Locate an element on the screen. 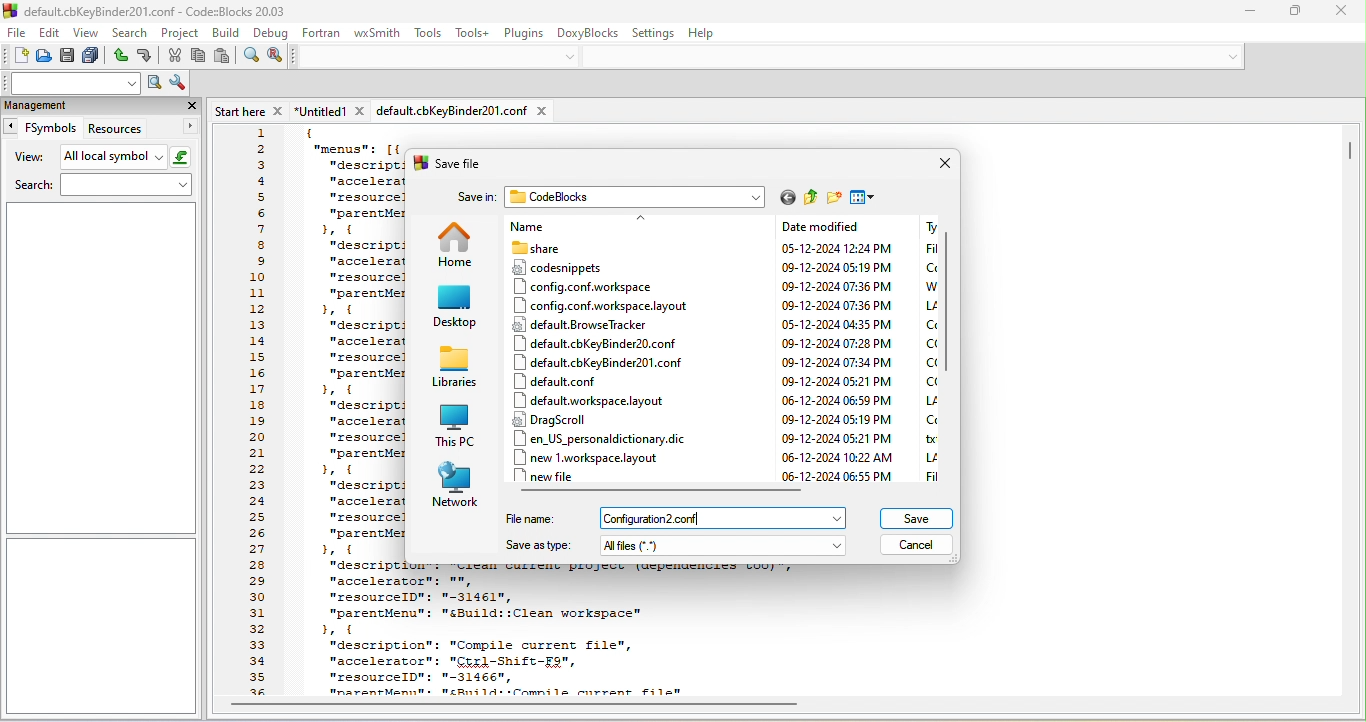 This screenshot has width=1366, height=722. go to last folder is located at coordinates (787, 198).